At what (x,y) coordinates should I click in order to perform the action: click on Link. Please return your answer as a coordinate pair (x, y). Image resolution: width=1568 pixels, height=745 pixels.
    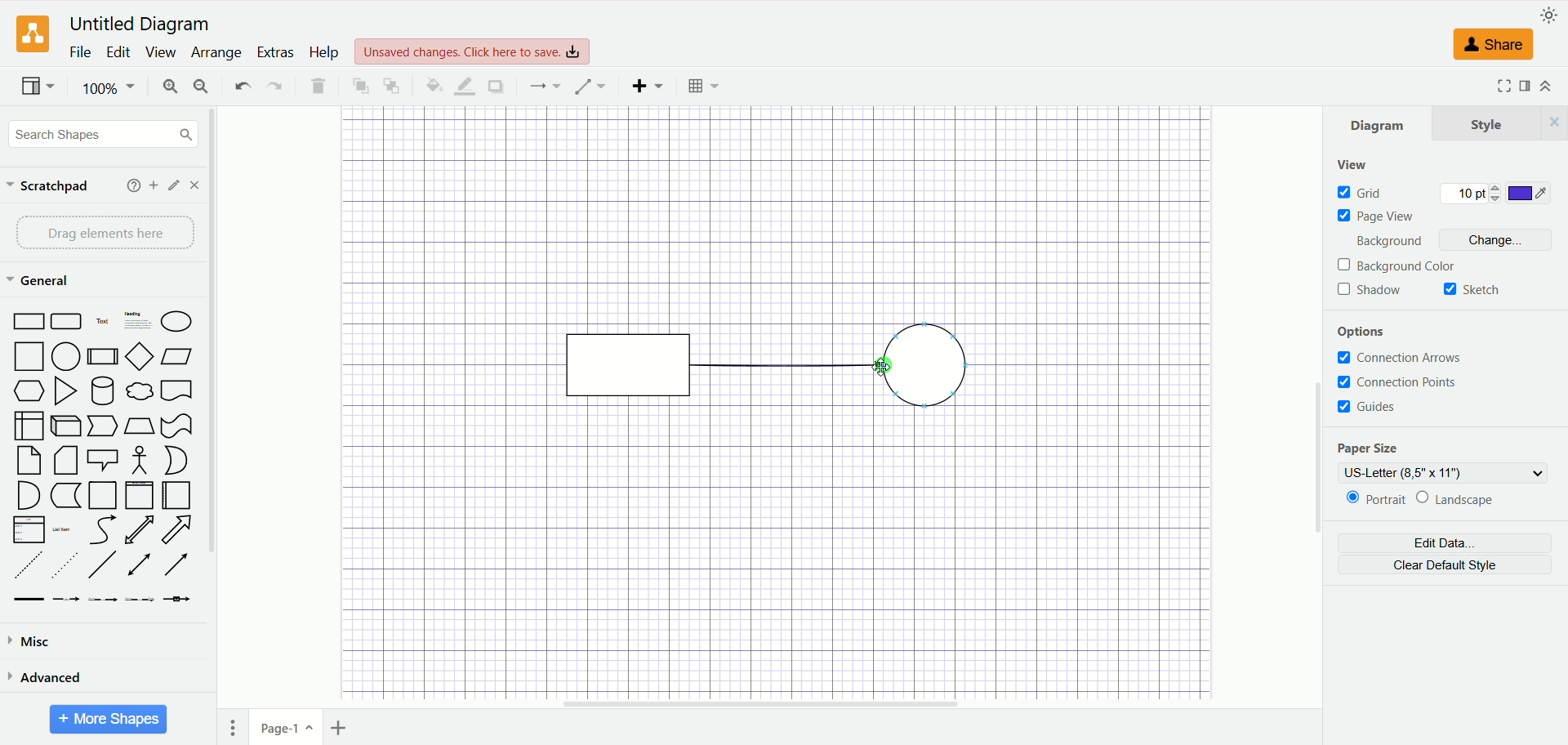
    Looking at the image, I should click on (29, 602).